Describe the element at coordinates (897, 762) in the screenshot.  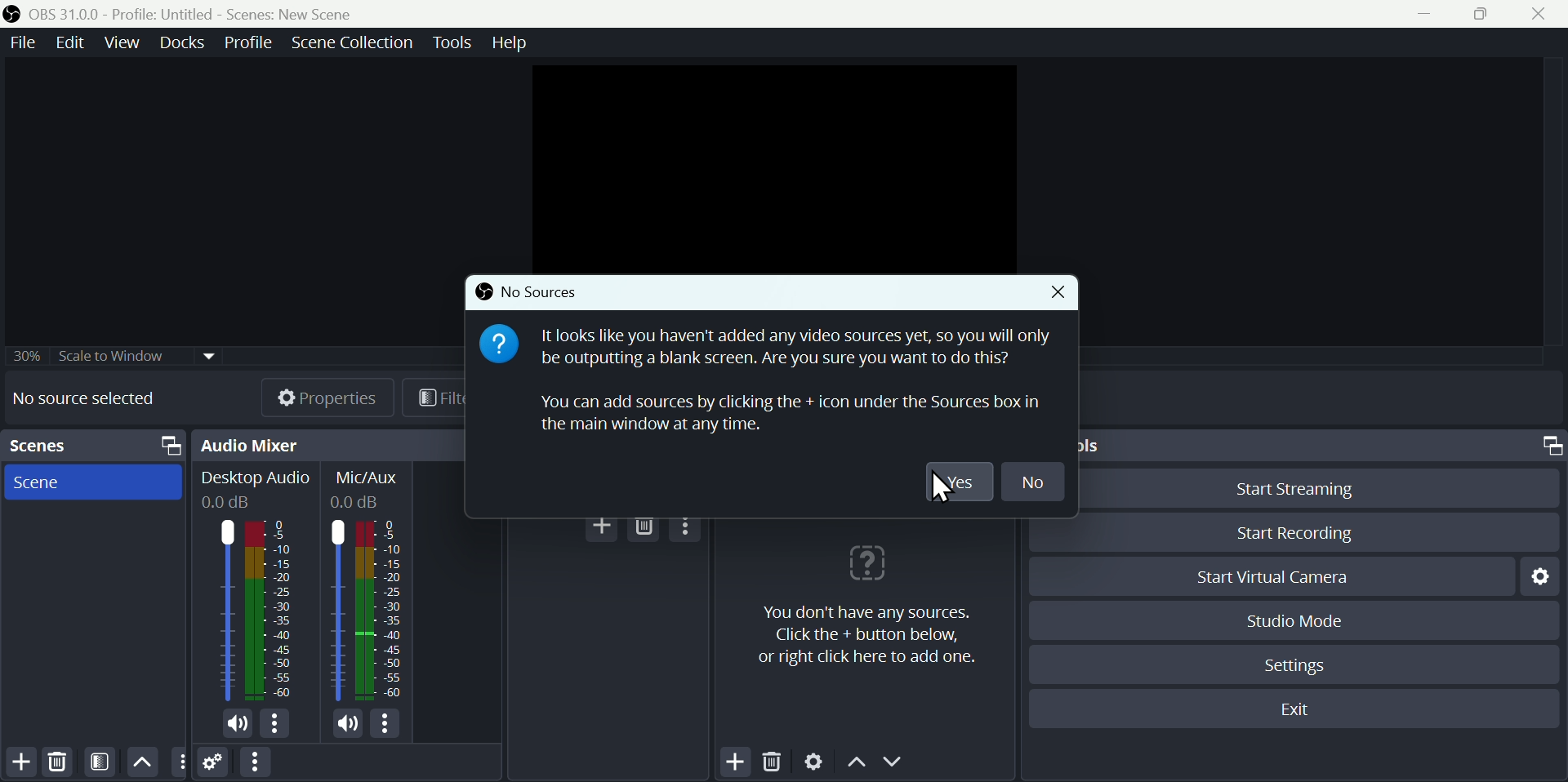
I see `down` at that location.